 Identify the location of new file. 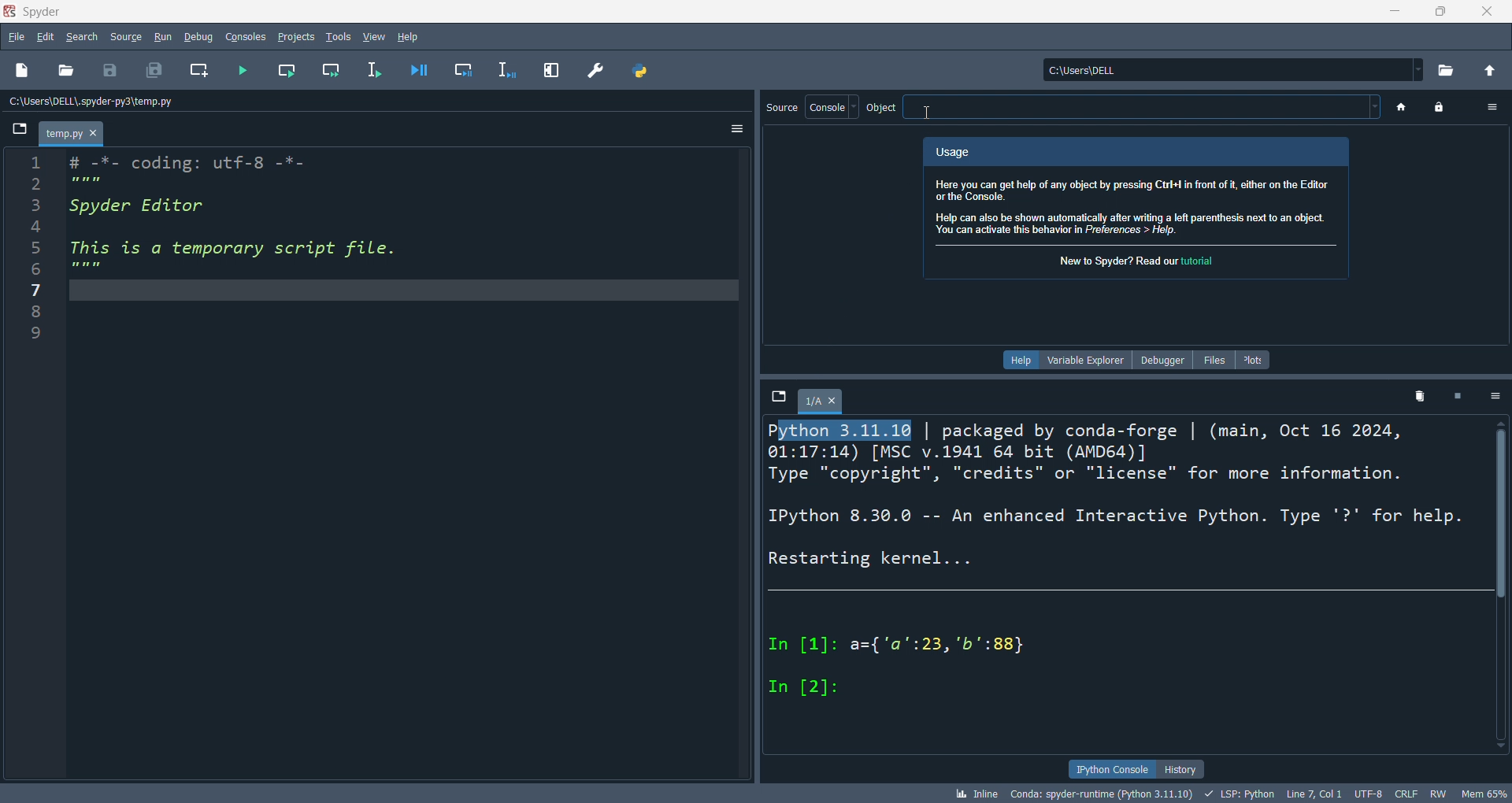
(25, 71).